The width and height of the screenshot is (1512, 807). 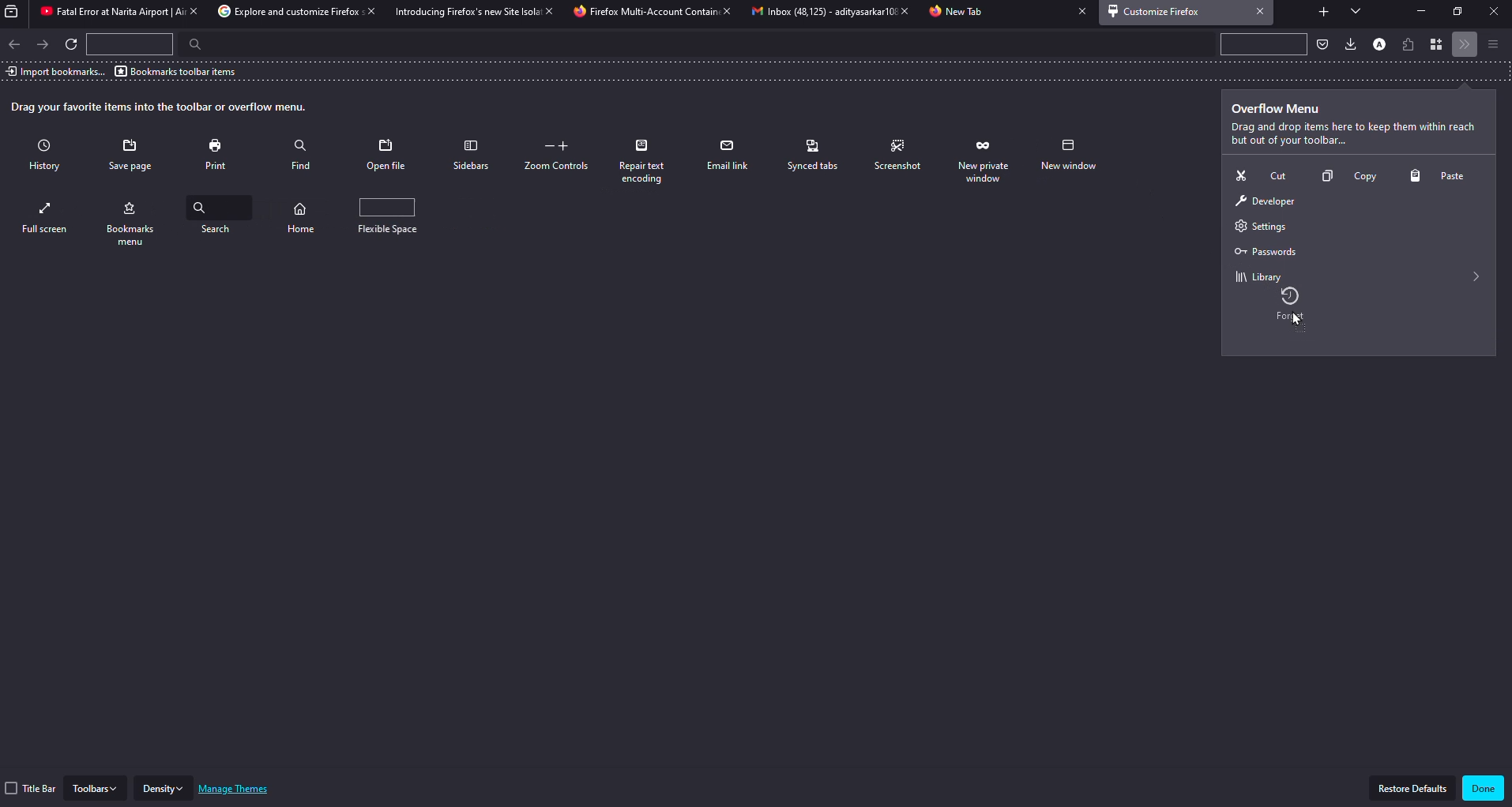 What do you see at coordinates (191, 11) in the screenshot?
I see `close` at bounding box center [191, 11].